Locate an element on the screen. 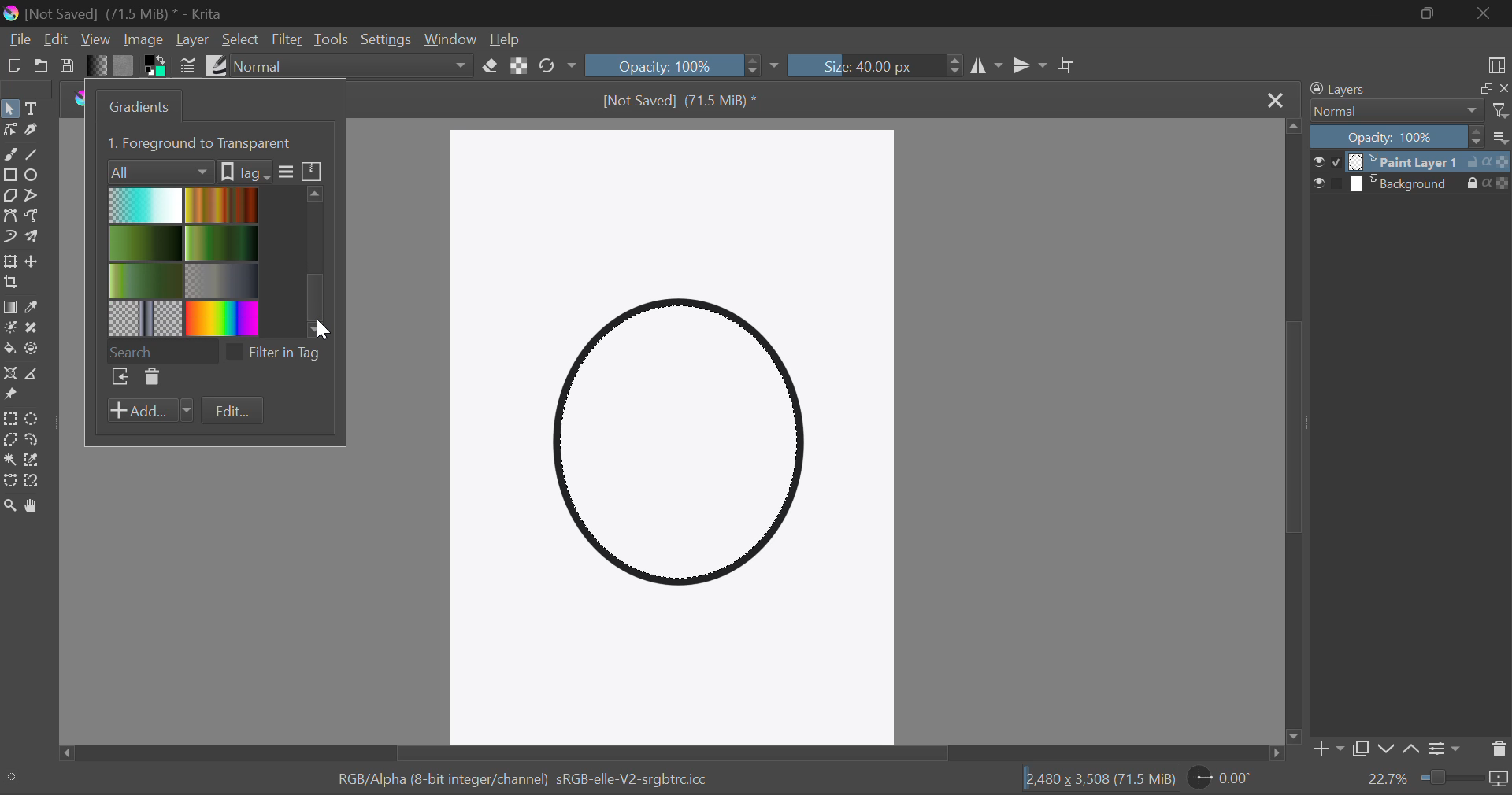  more is located at coordinates (287, 172).